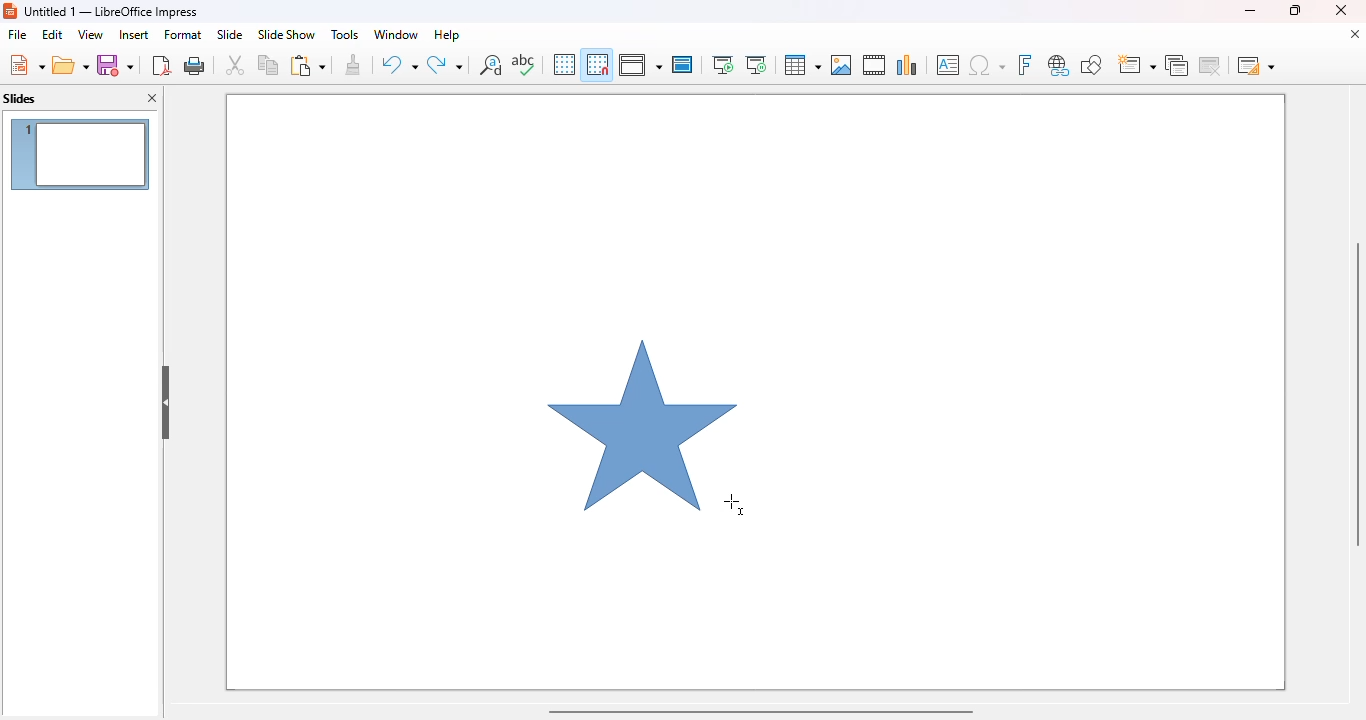  I want to click on slide show, so click(286, 35).